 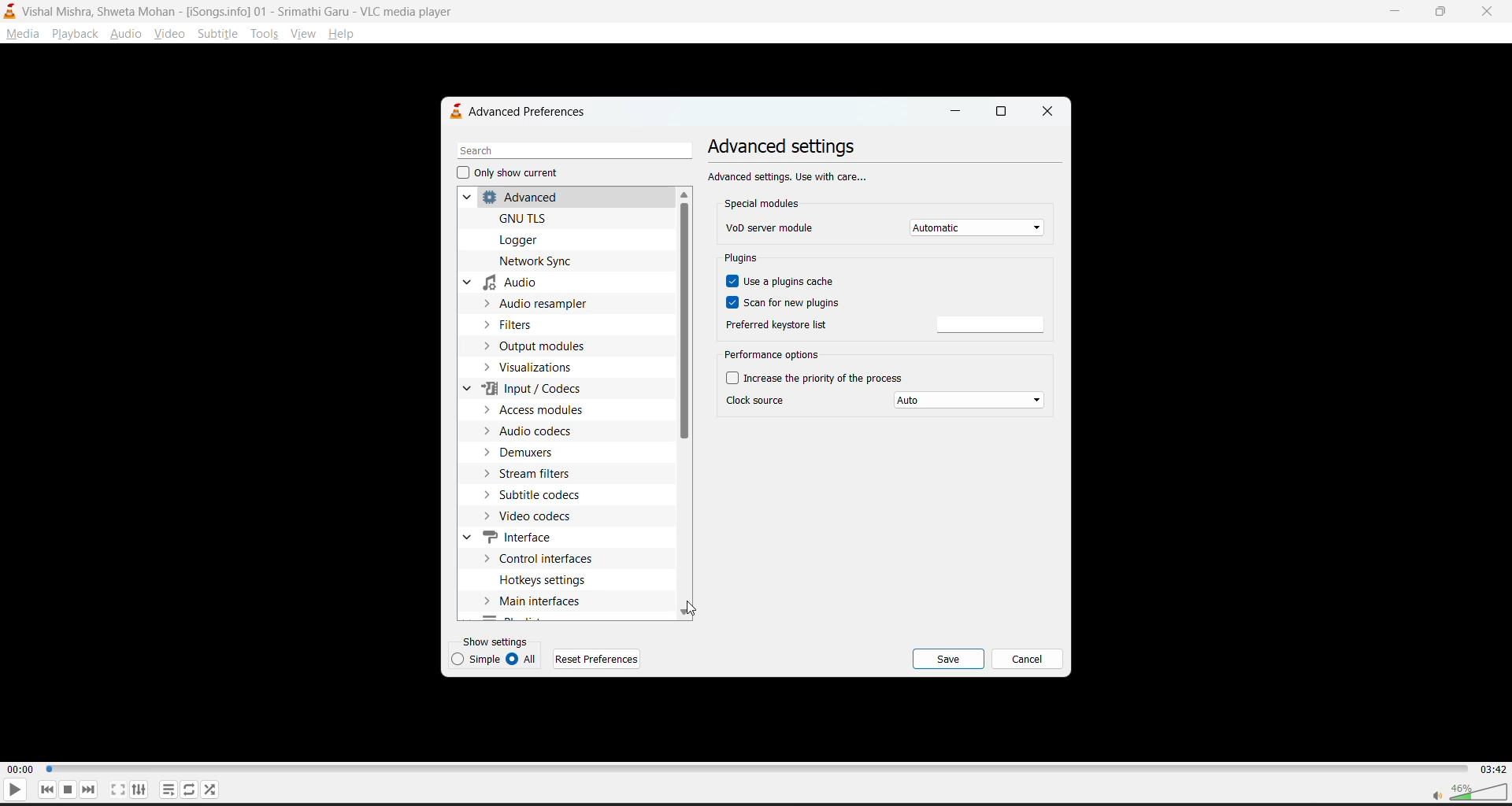 I want to click on performance options, so click(x=773, y=355).